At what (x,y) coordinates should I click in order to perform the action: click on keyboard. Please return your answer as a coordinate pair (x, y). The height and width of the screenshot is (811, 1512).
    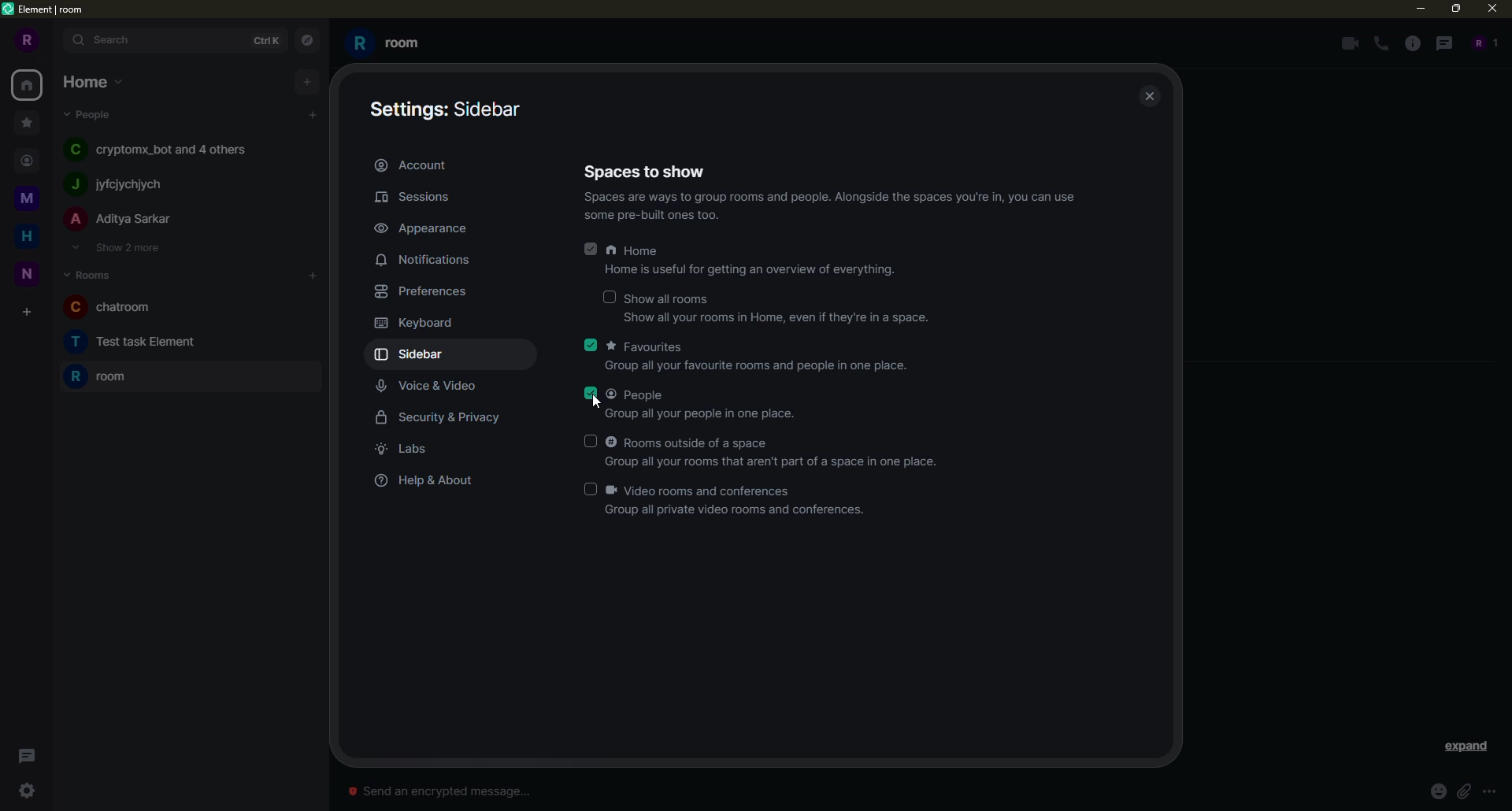
    Looking at the image, I should click on (417, 324).